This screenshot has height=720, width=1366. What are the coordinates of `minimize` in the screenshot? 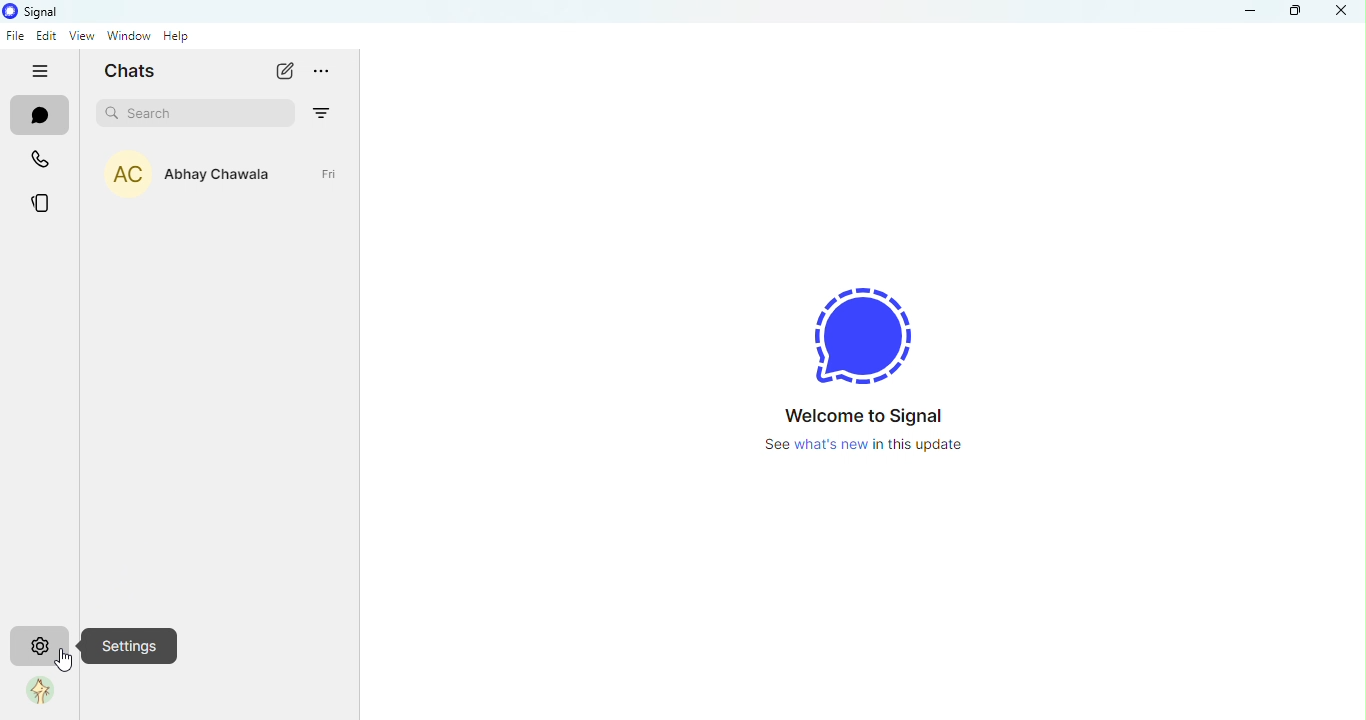 It's located at (1251, 16).